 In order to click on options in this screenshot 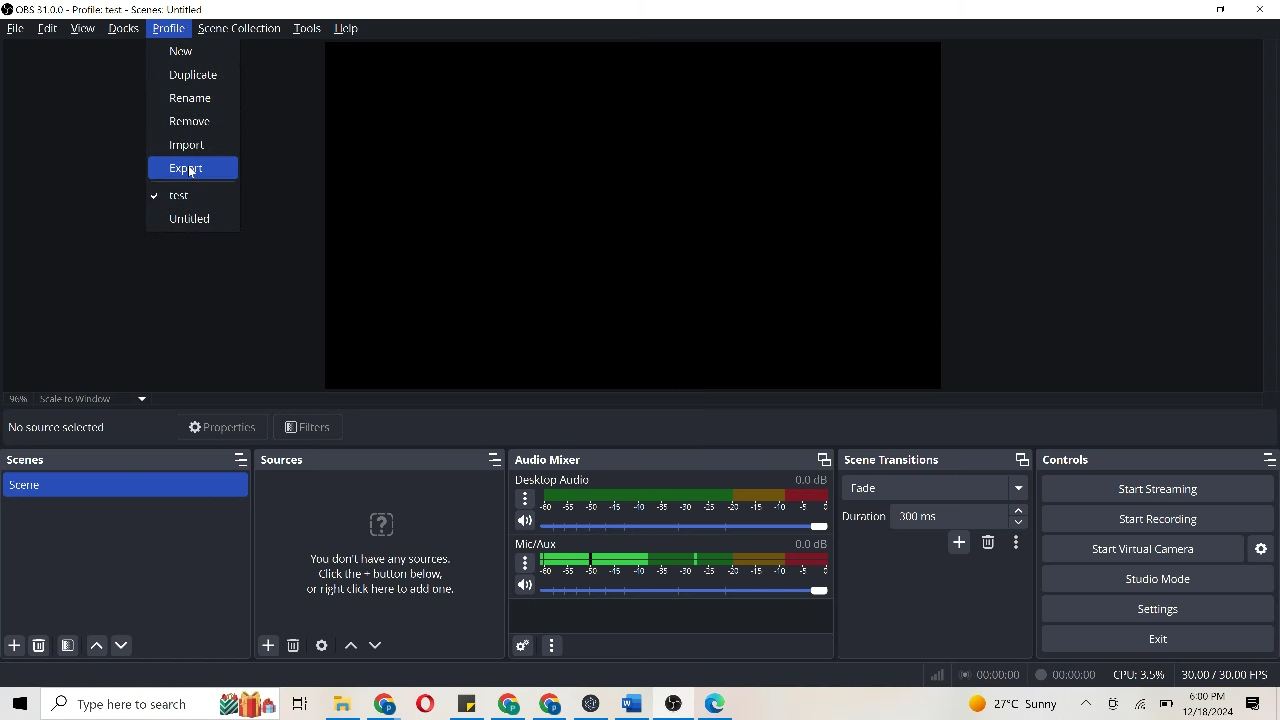, I will do `click(1255, 703)`.